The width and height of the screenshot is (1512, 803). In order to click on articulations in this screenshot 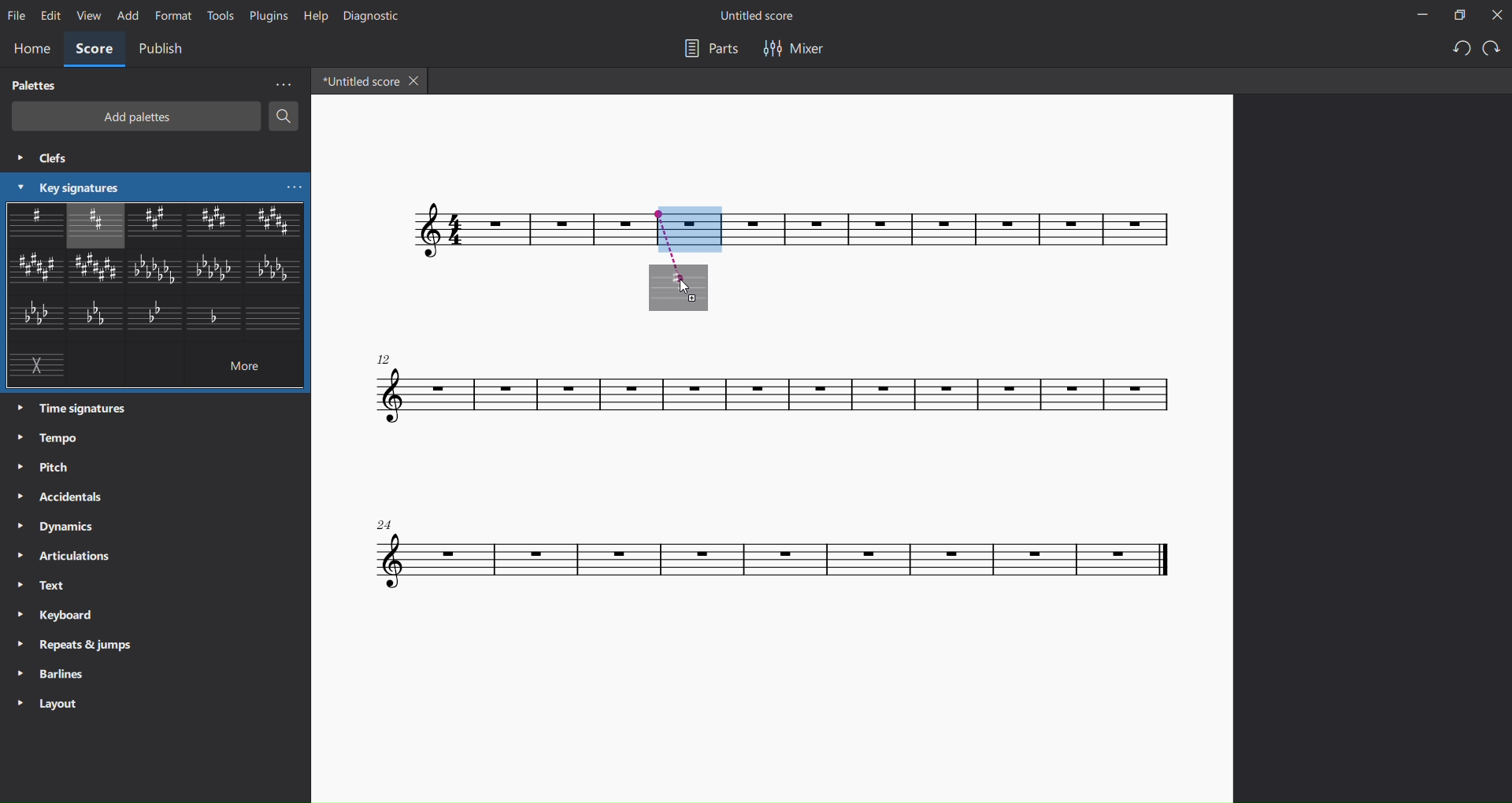, I will do `click(70, 557)`.